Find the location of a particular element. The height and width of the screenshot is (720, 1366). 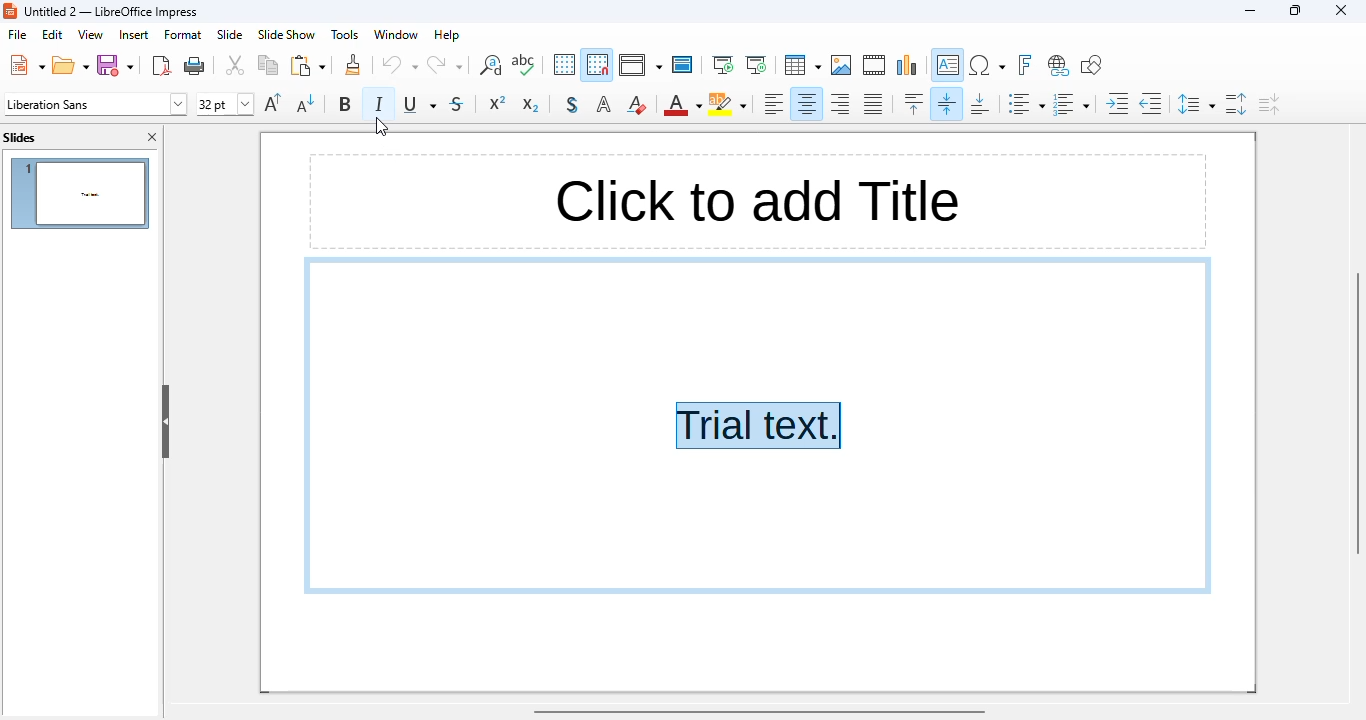

increase indent is located at coordinates (1118, 104).